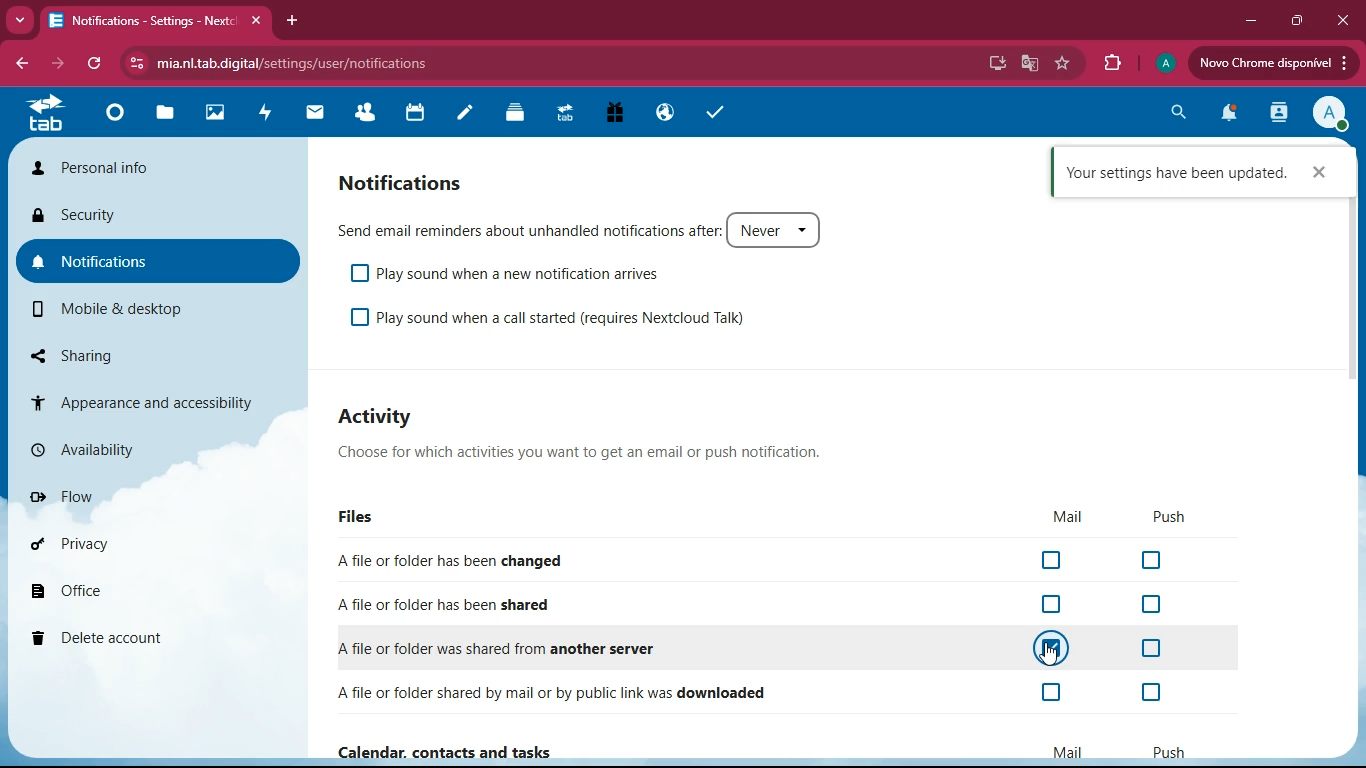 This screenshot has width=1366, height=768. What do you see at coordinates (514, 272) in the screenshot?
I see `play sound` at bounding box center [514, 272].